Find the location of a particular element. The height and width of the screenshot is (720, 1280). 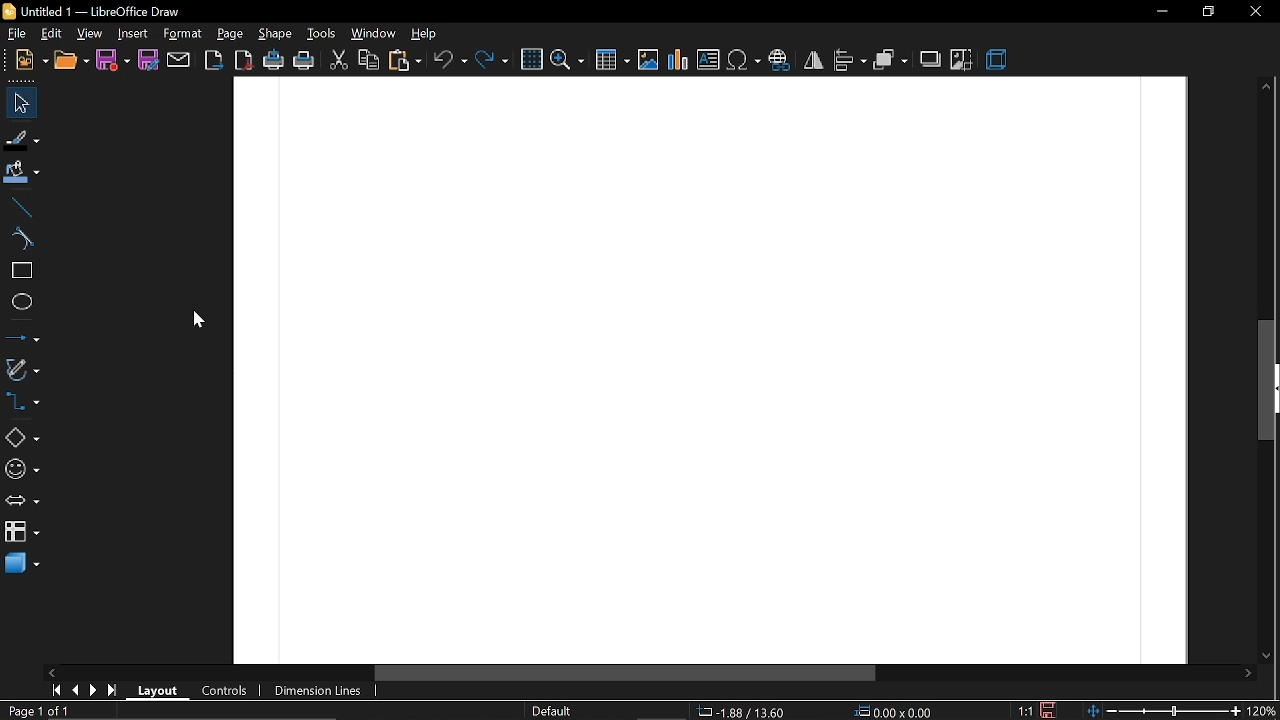

Canvas is located at coordinates (710, 369).